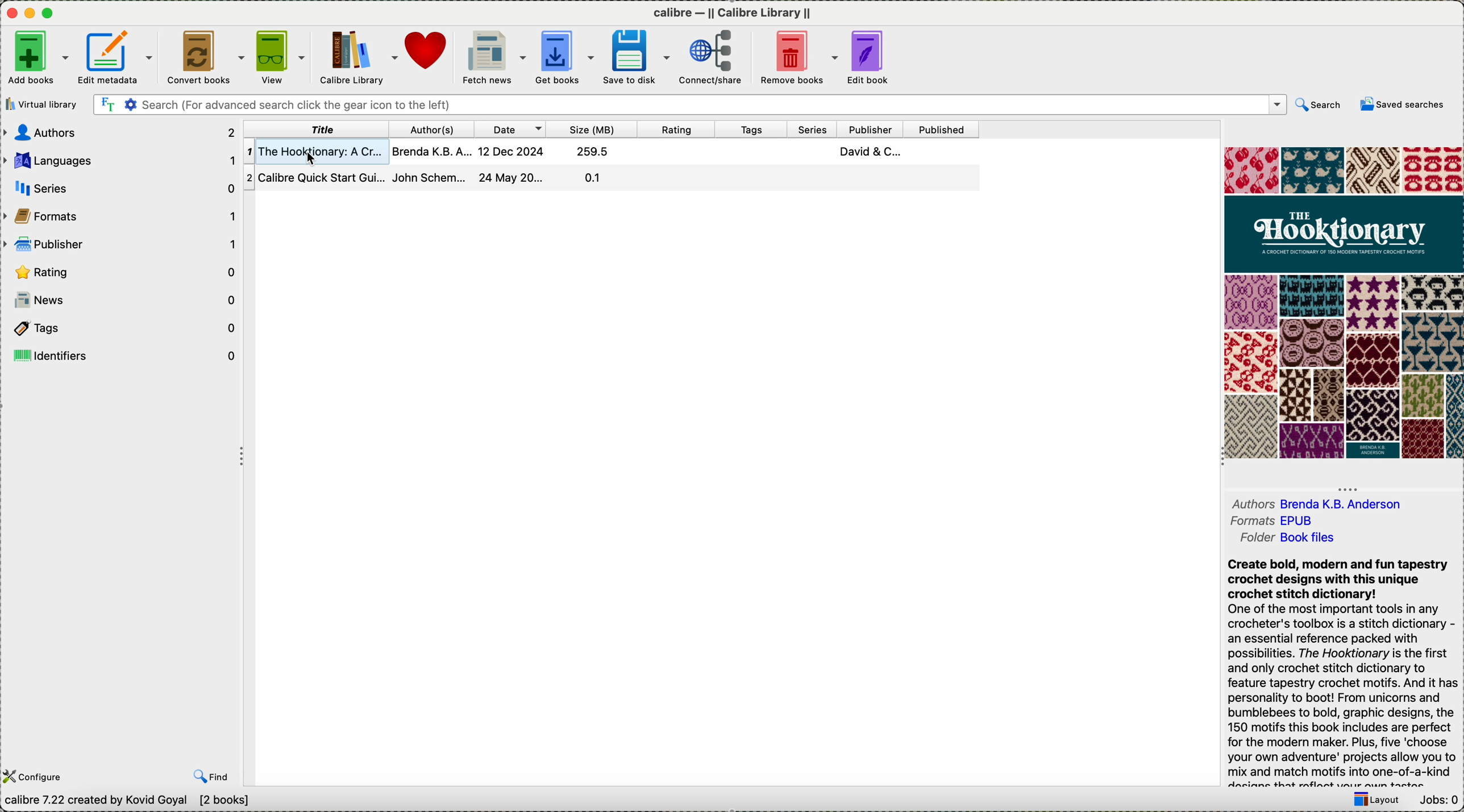  Describe the element at coordinates (45, 105) in the screenshot. I see `virtual library` at that location.